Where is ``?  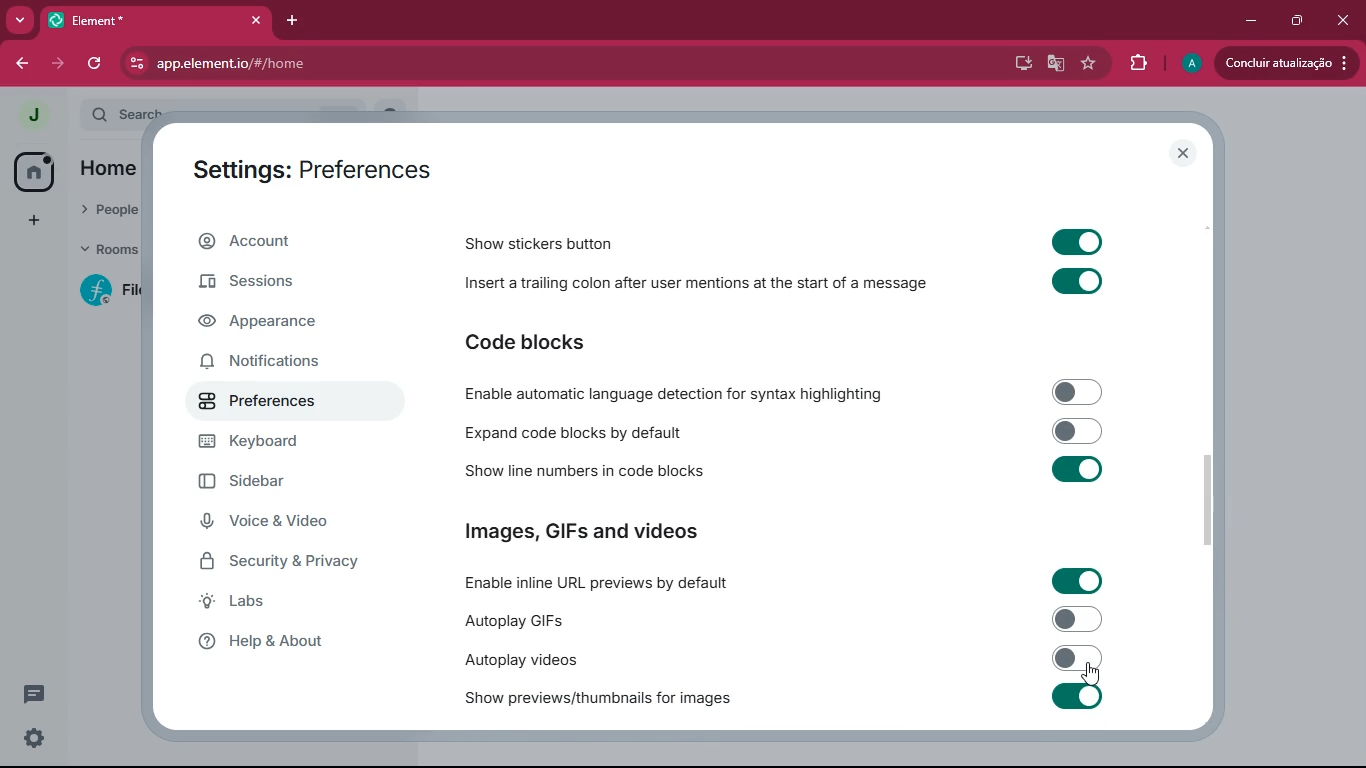
 is located at coordinates (1077, 696).